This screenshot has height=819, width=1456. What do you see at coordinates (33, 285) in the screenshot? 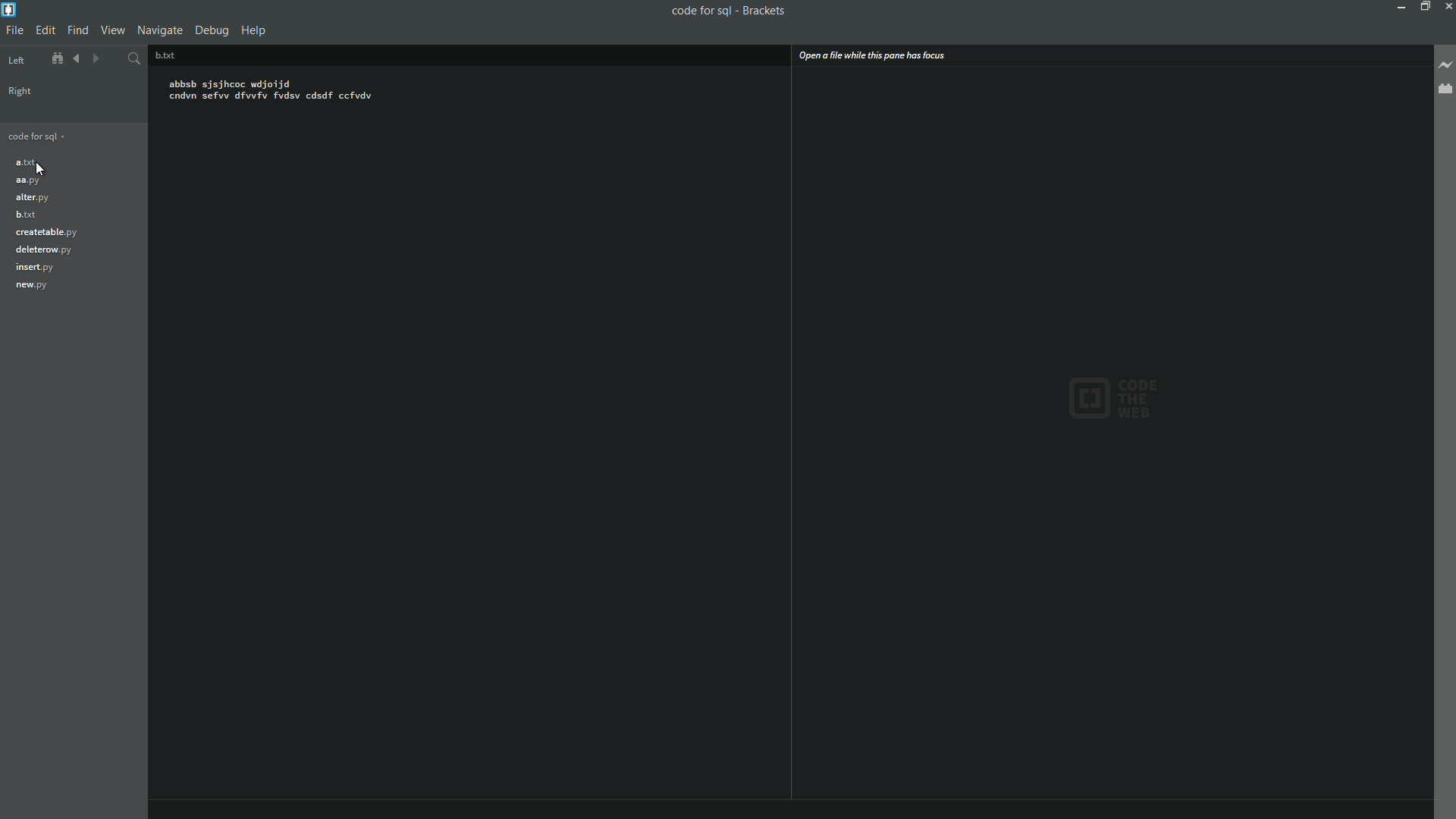
I see `new.py` at bounding box center [33, 285].